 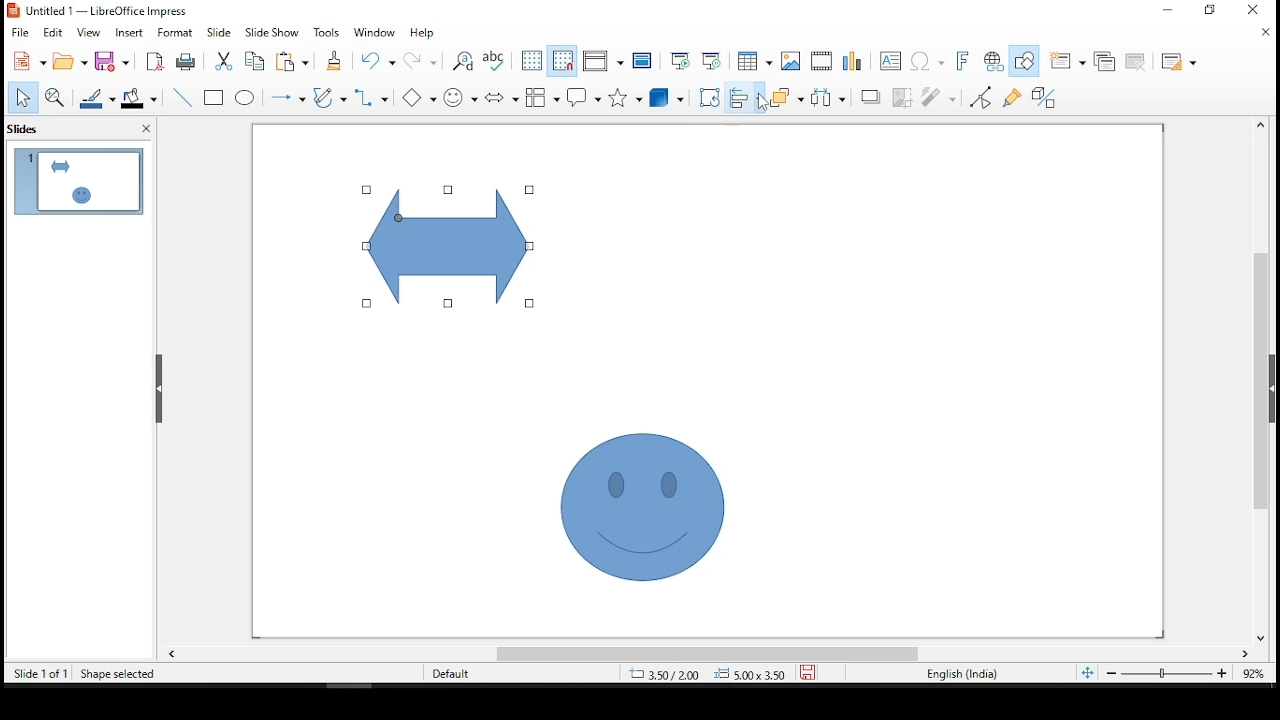 I want to click on curves and polygons, so click(x=328, y=97).